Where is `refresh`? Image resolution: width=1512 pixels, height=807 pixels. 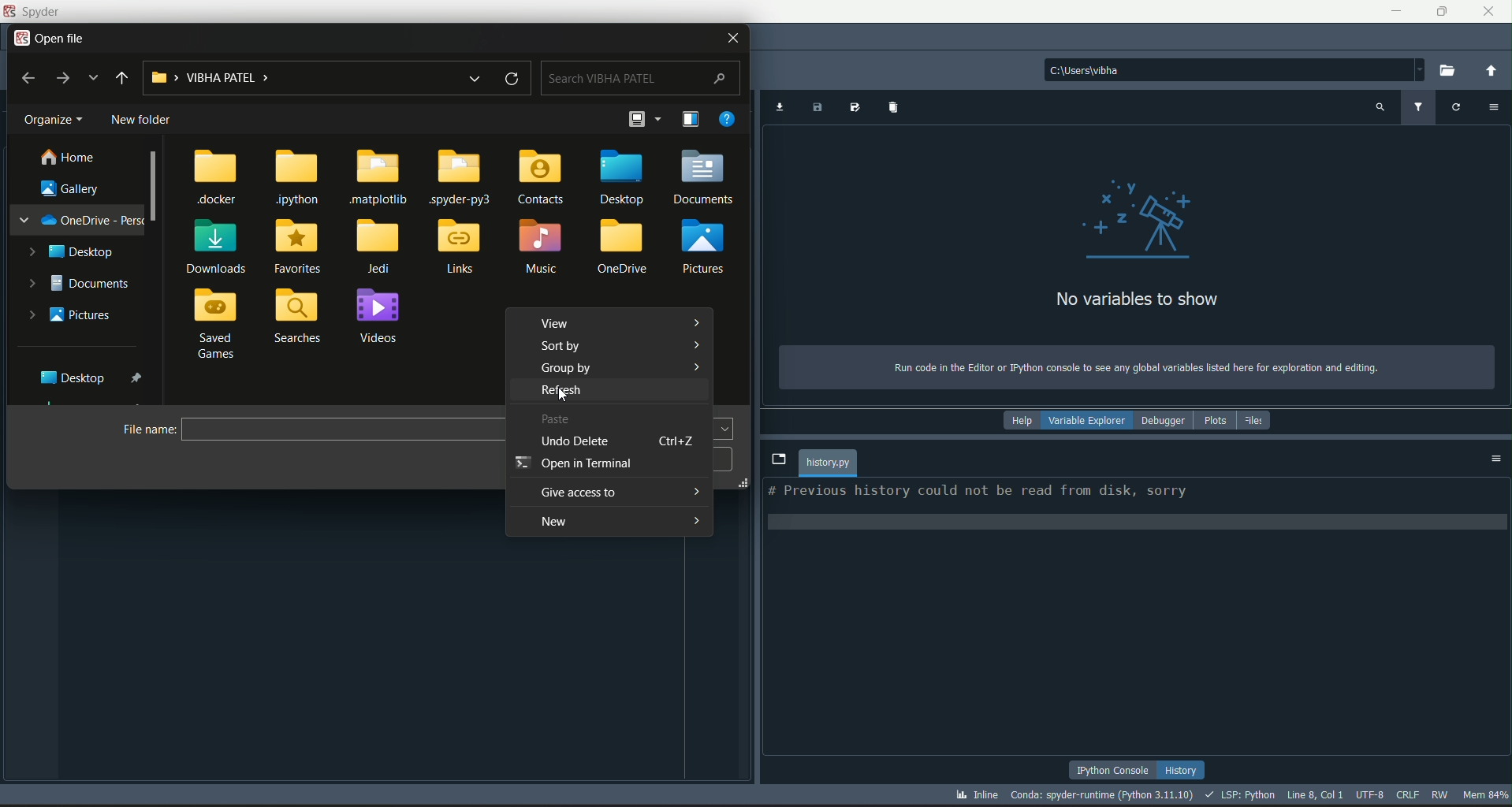 refresh is located at coordinates (560, 392).